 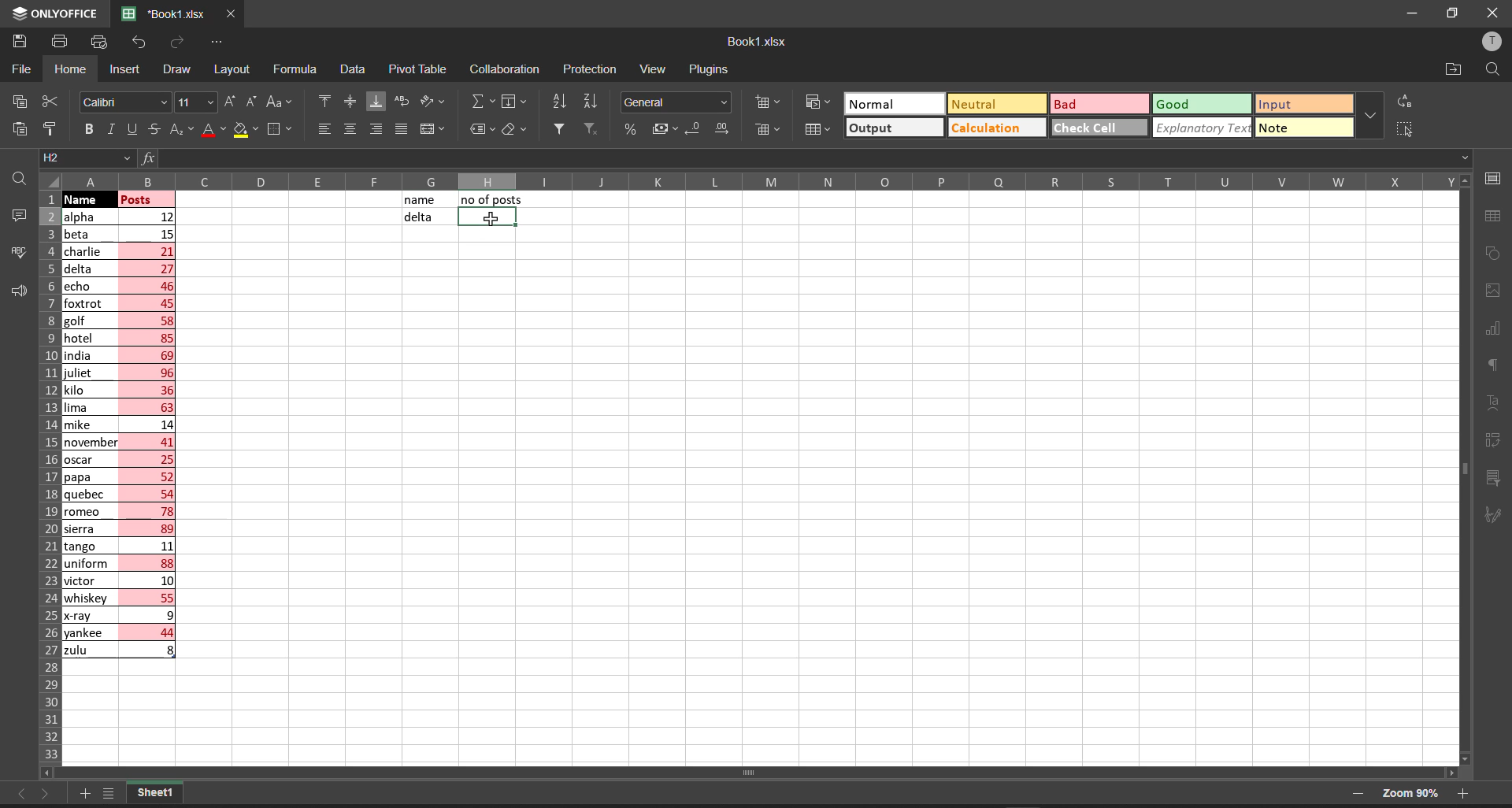 What do you see at coordinates (492, 199) in the screenshot?
I see `no of posts` at bounding box center [492, 199].